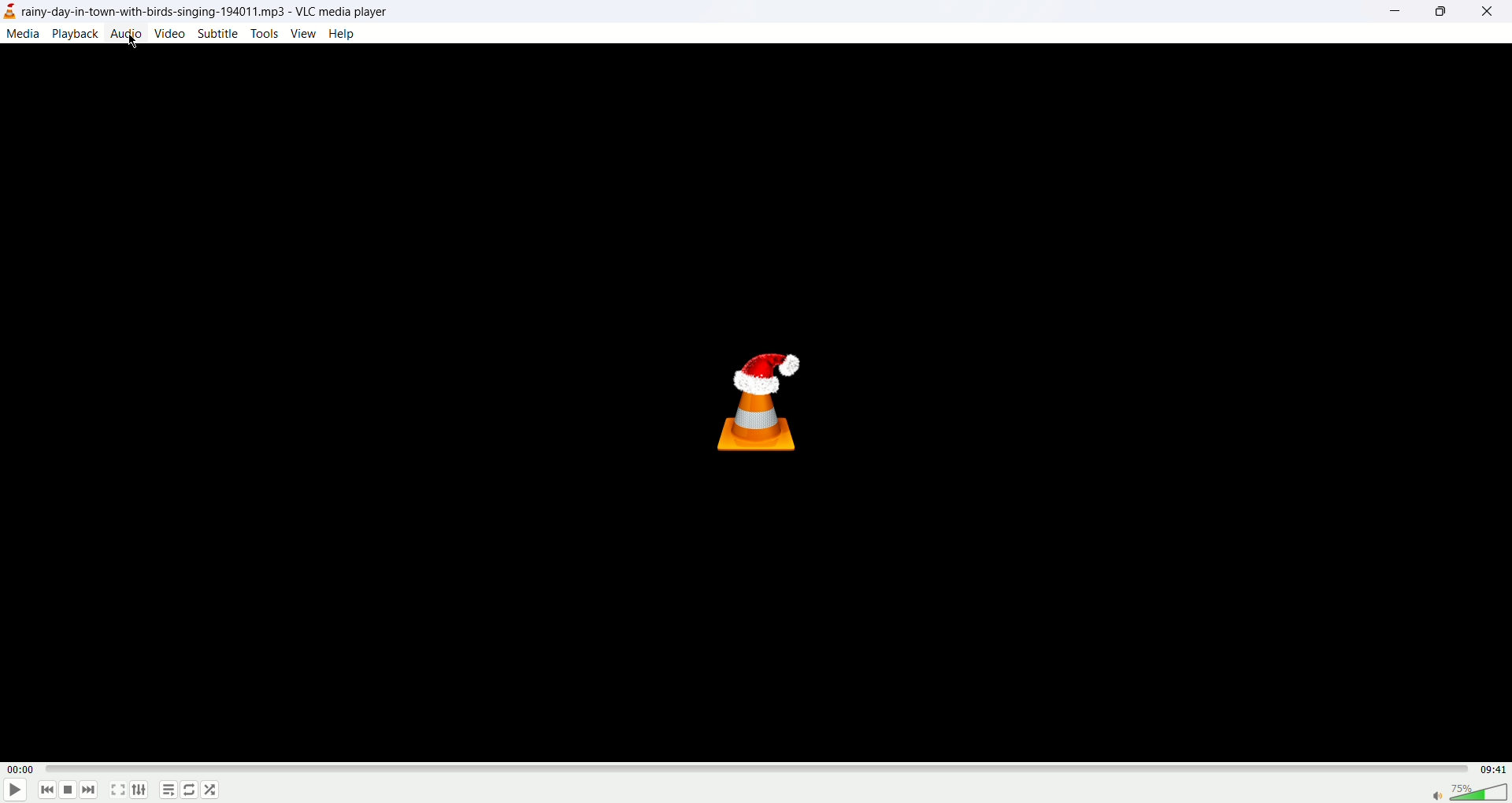 This screenshot has height=803, width=1512. I want to click on \y-day-in-town-with-birds-singing-194011.mp3 - VLC media player, so click(209, 10).